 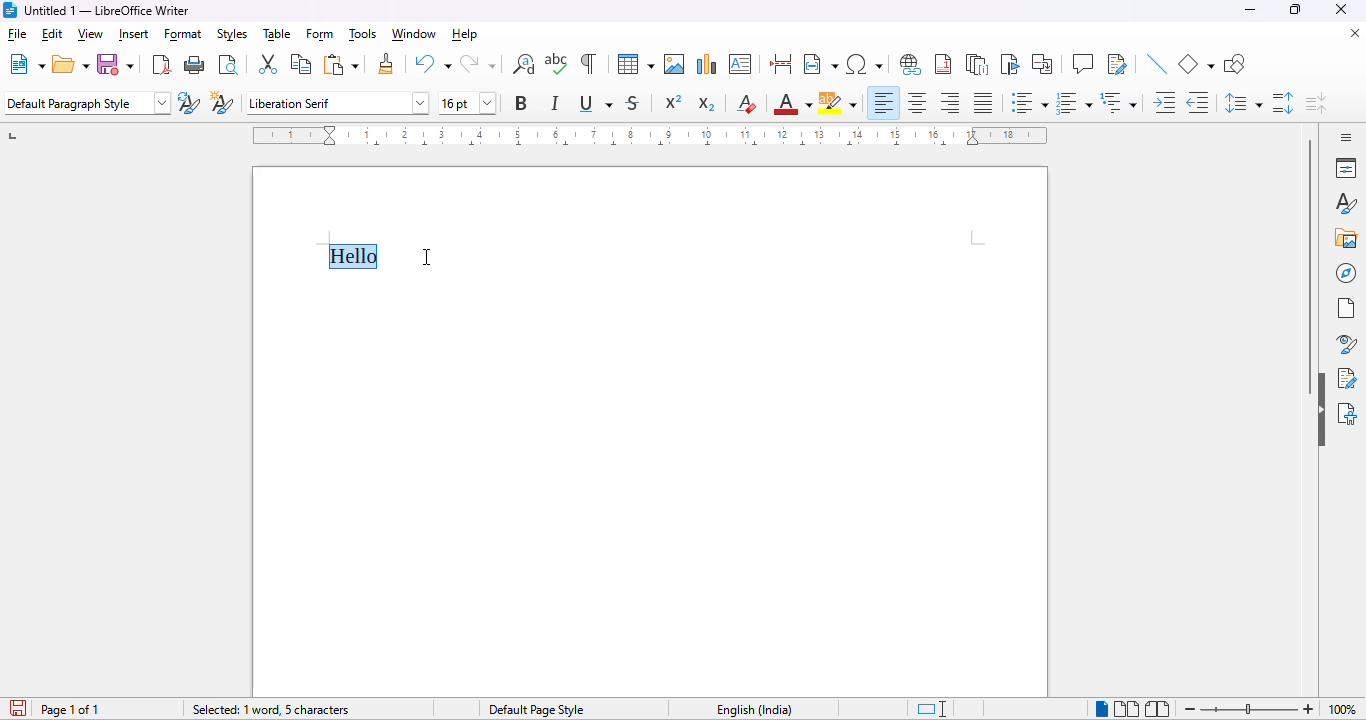 I want to click on format, so click(x=184, y=34).